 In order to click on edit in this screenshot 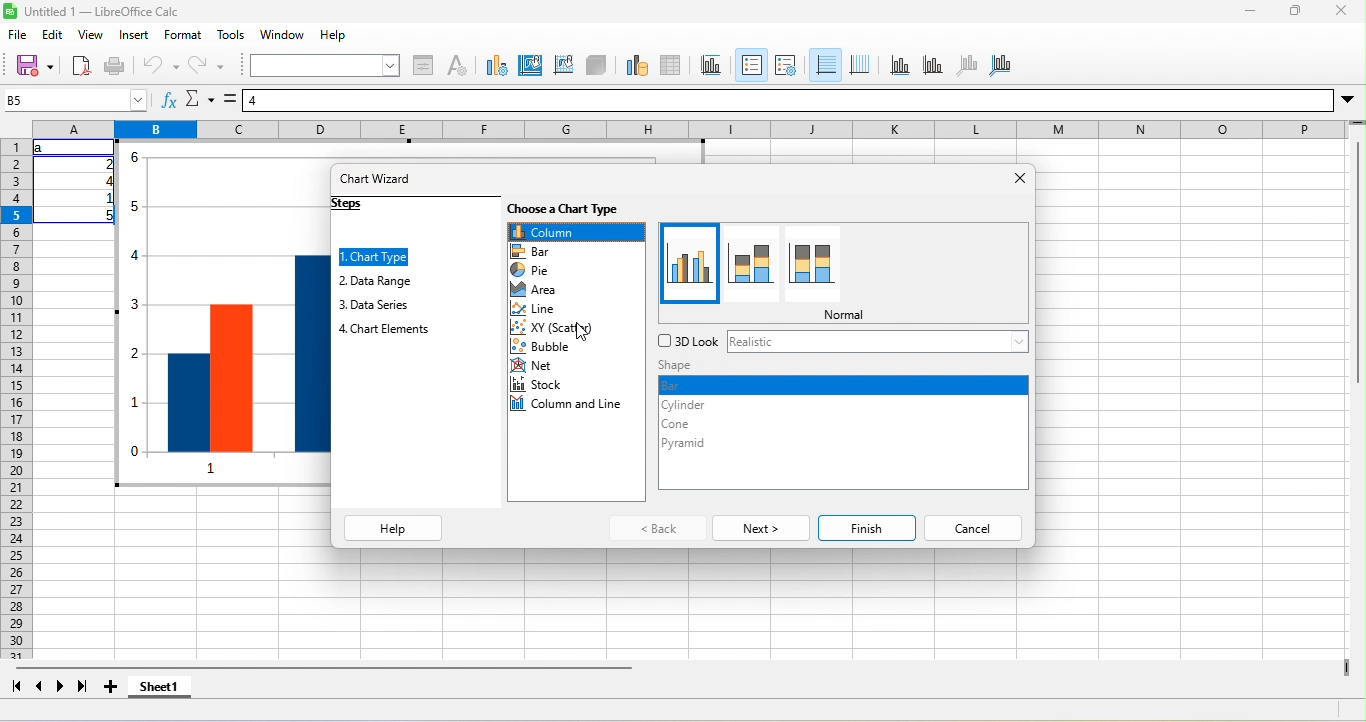, I will do `click(53, 35)`.